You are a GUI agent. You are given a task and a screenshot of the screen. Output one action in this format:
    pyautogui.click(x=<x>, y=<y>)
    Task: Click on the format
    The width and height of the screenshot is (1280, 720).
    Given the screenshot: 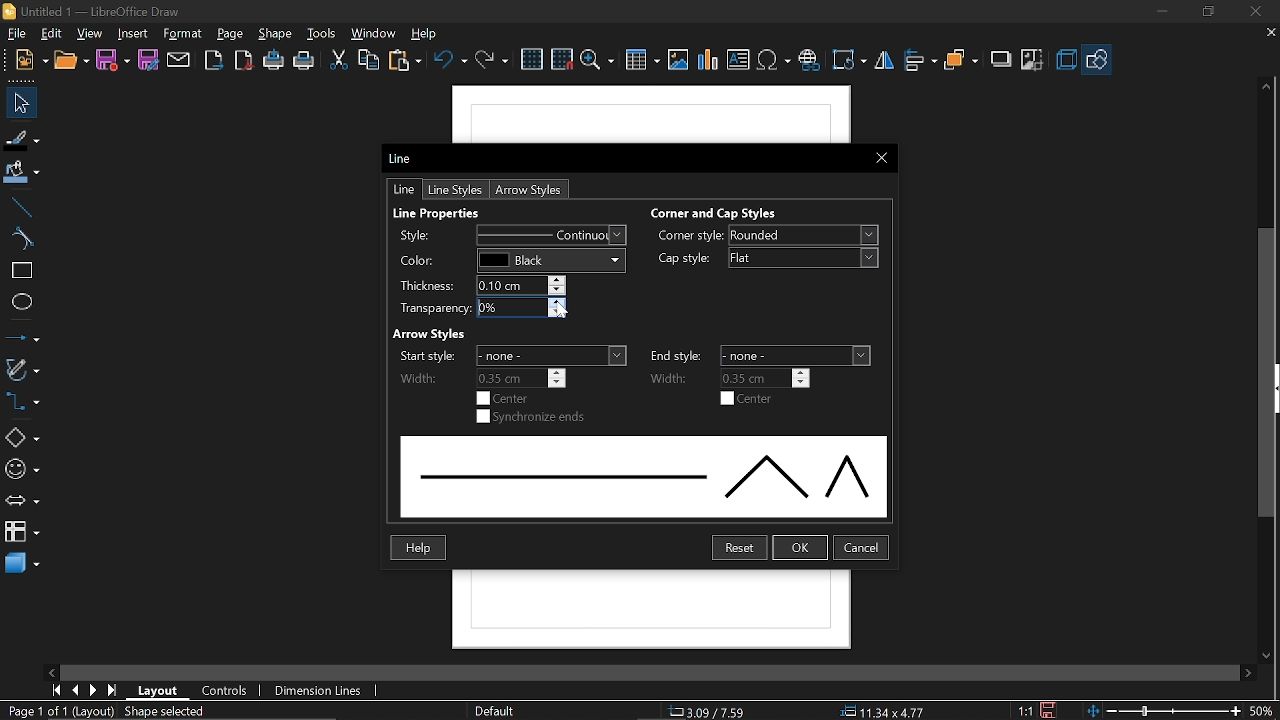 What is the action you would take?
    pyautogui.click(x=186, y=34)
    